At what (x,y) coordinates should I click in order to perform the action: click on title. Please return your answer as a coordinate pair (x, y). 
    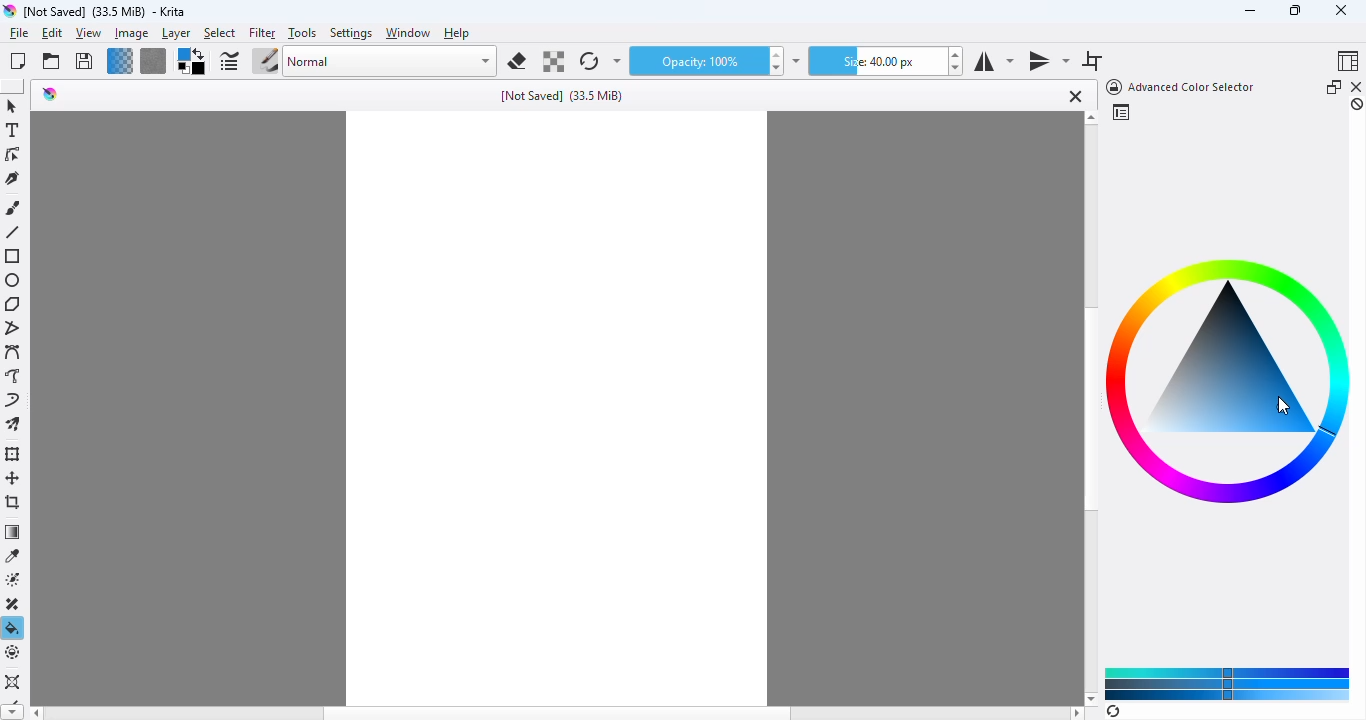
    Looking at the image, I should click on (105, 12).